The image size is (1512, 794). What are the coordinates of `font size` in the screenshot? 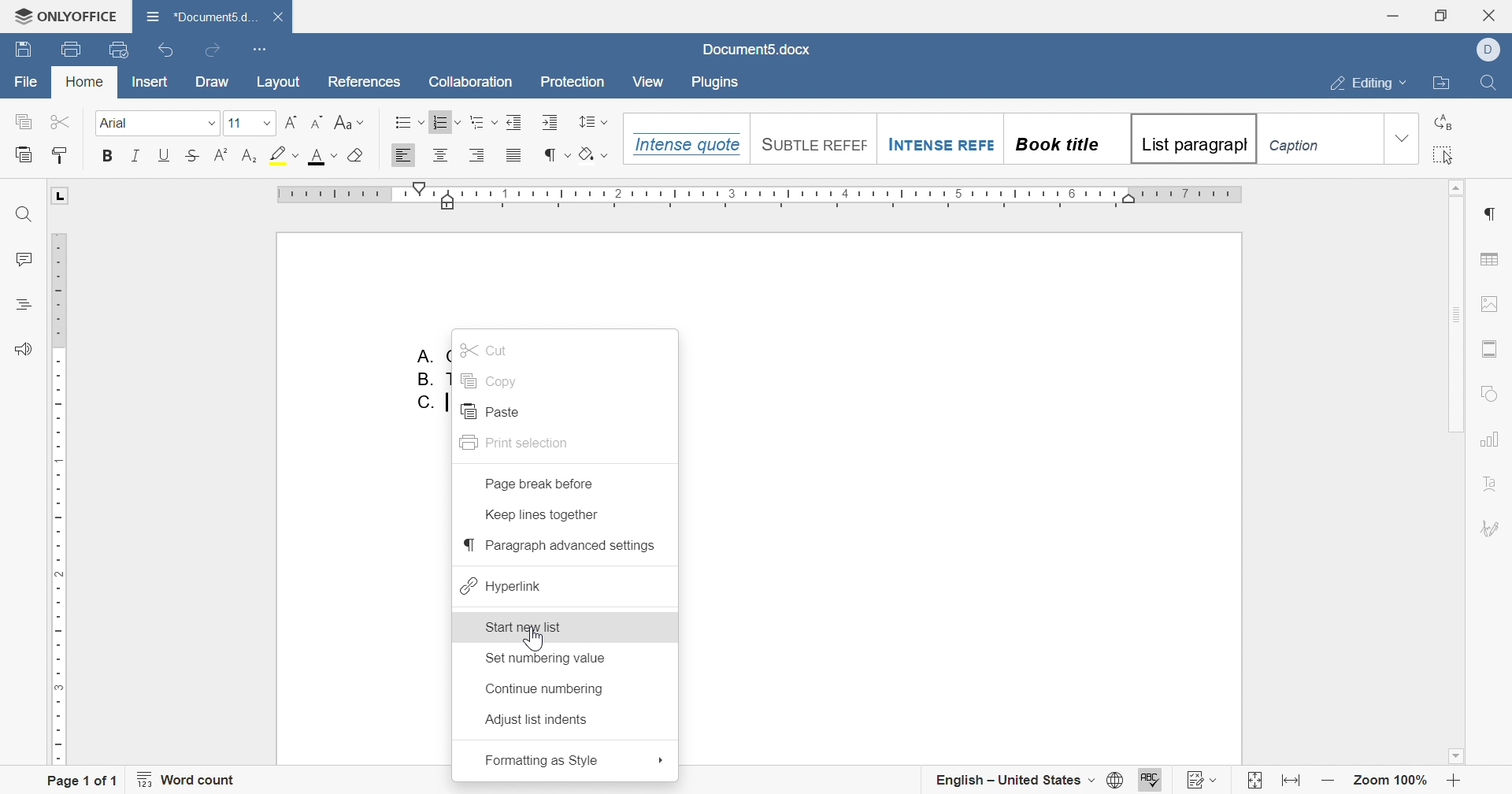 It's located at (234, 123).